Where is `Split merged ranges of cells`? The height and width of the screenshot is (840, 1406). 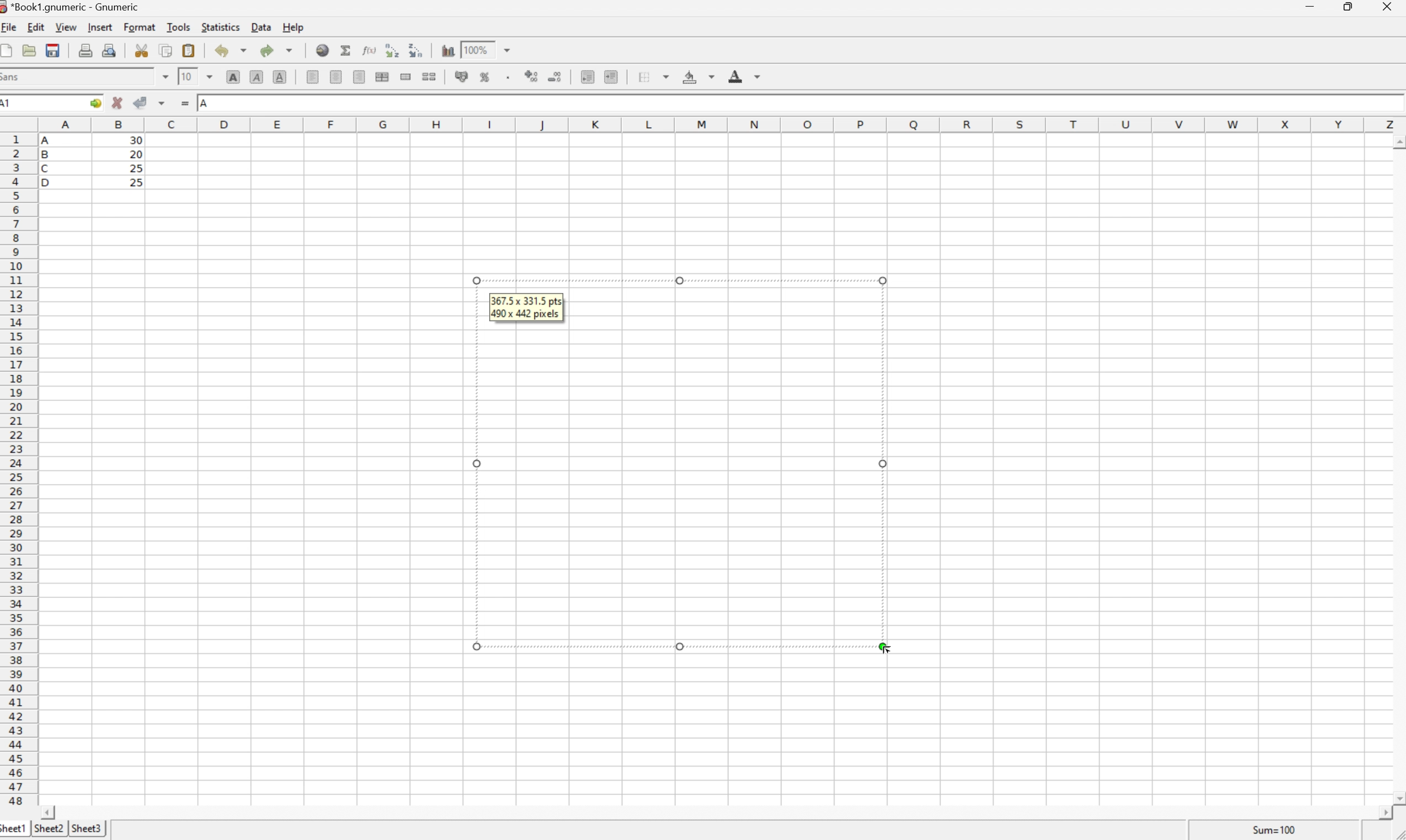 Split merged ranges of cells is located at coordinates (428, 77).